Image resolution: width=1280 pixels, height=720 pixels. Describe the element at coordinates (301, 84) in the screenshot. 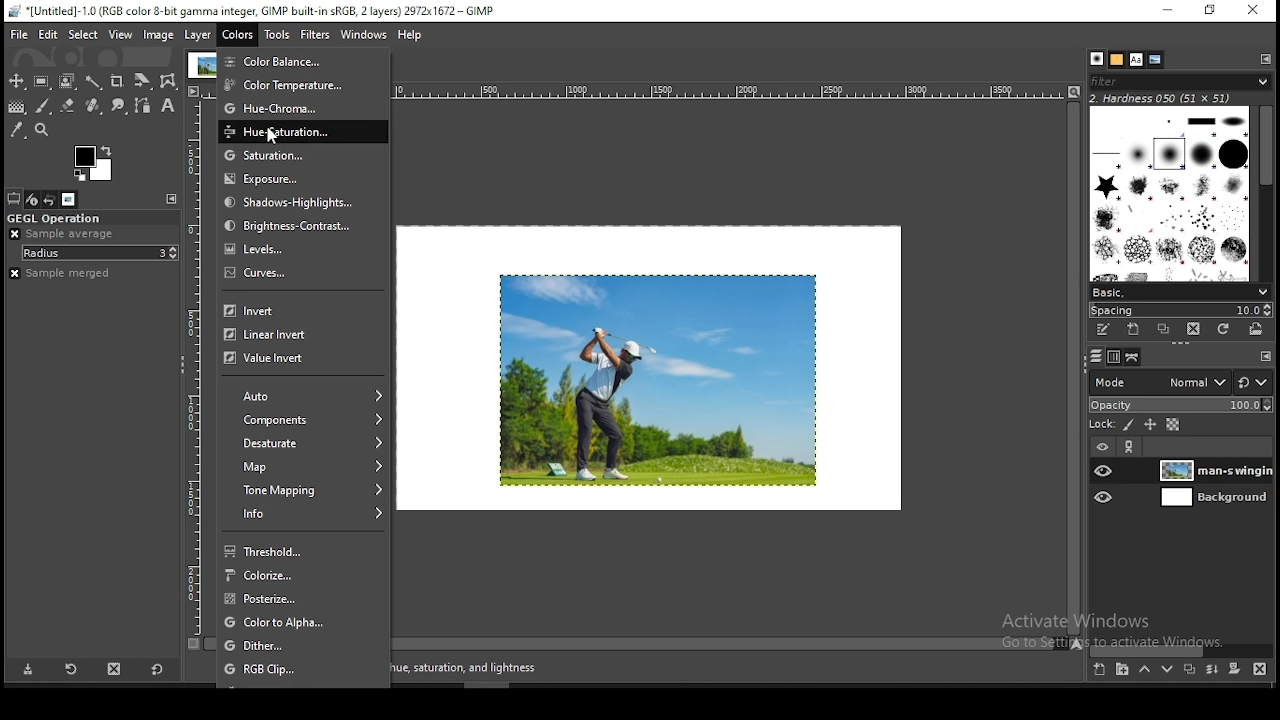

I see `color temperature` at that location.